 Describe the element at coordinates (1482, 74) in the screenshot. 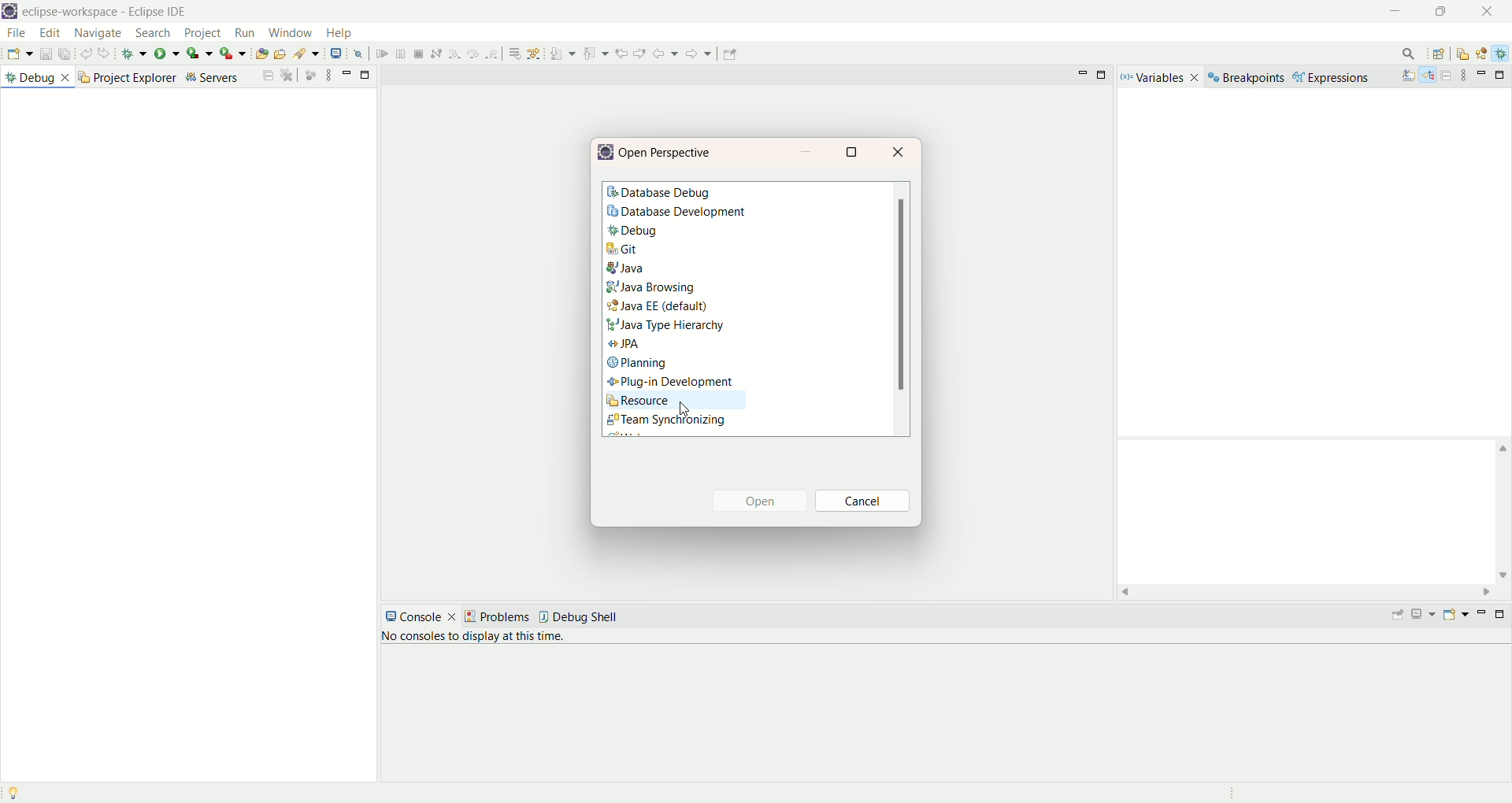

I see `minimize` at that location.